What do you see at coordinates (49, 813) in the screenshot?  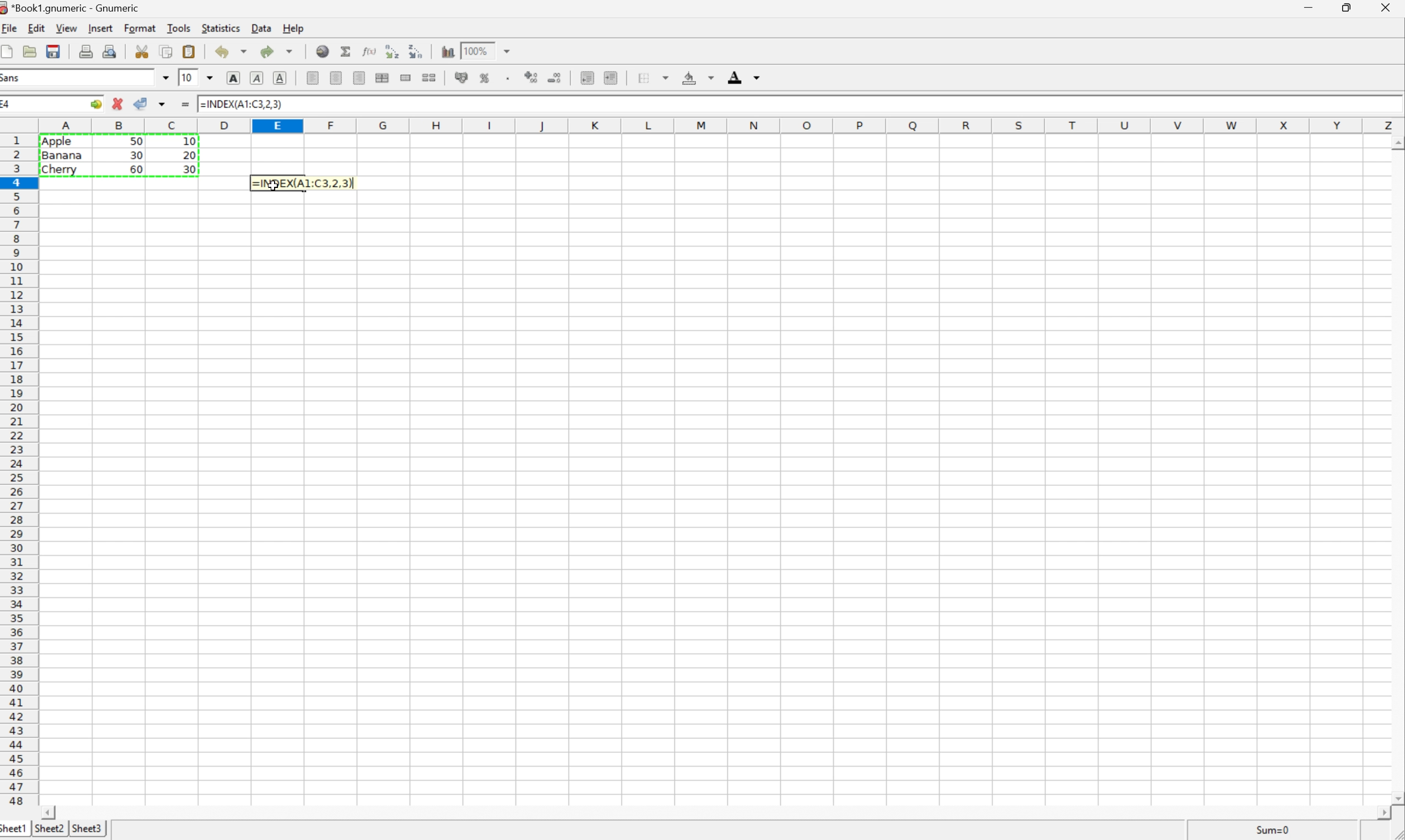 I see `scroll left` at bounding box center [49, 813].